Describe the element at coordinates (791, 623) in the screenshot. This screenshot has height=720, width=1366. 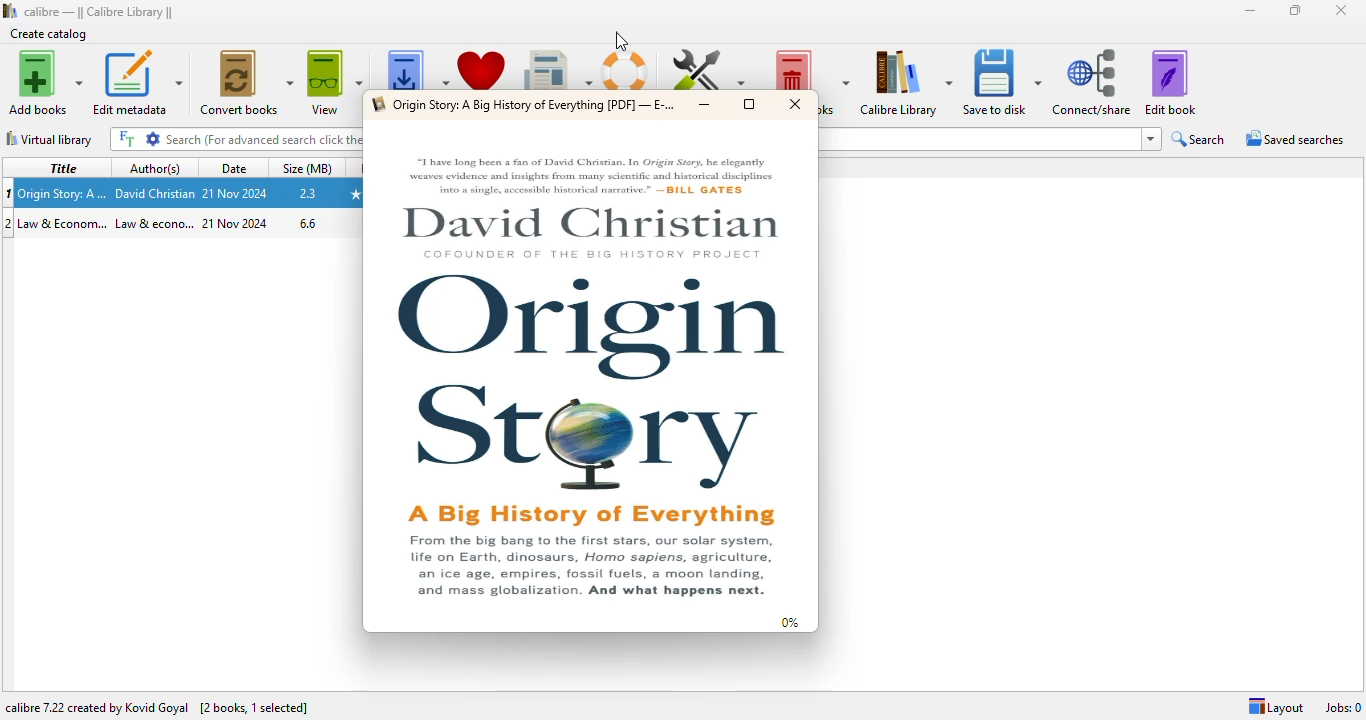
I see `0%` at that location.